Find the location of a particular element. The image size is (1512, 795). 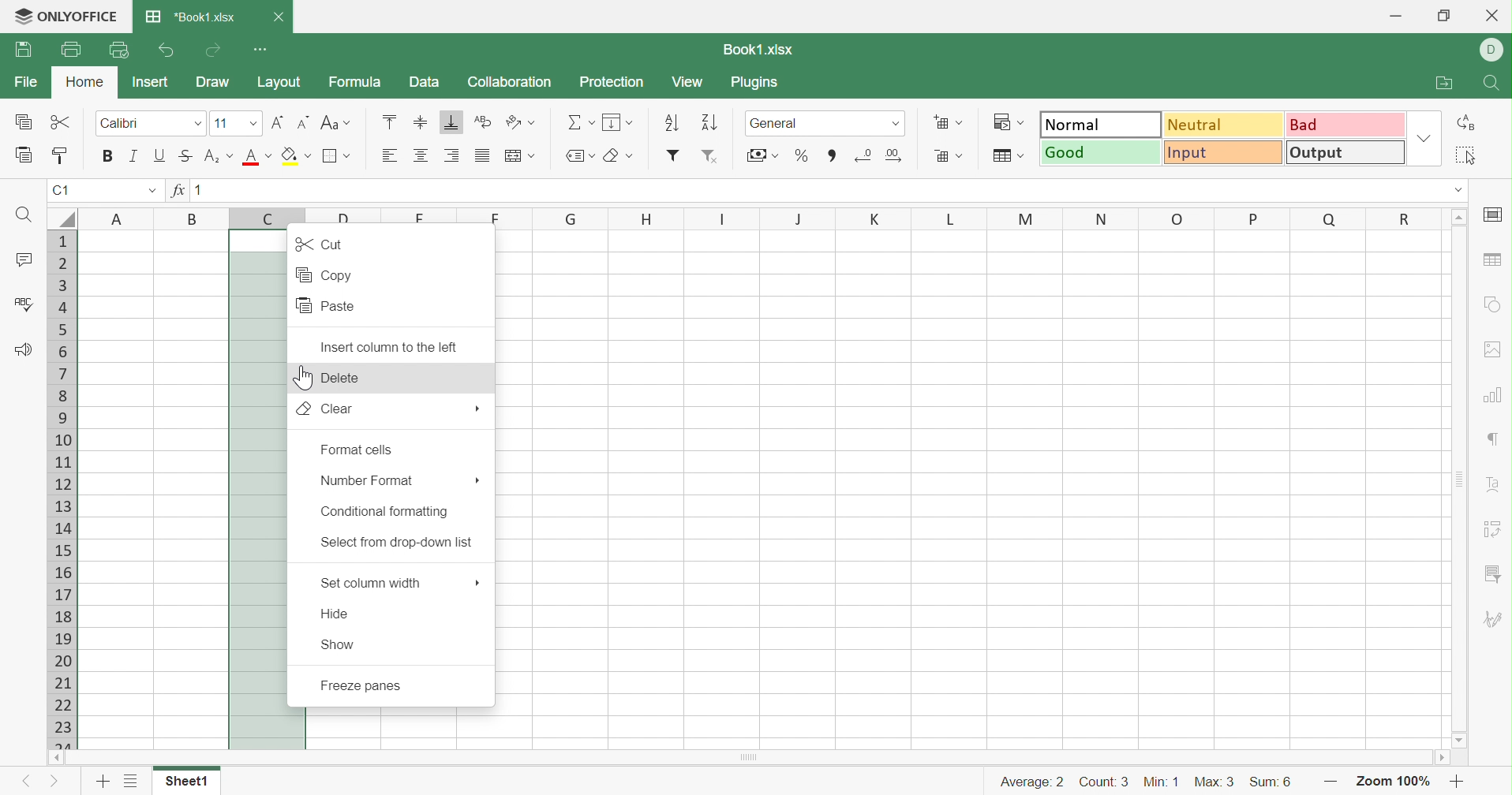

Drop Down is located at coordinates (232, 157).